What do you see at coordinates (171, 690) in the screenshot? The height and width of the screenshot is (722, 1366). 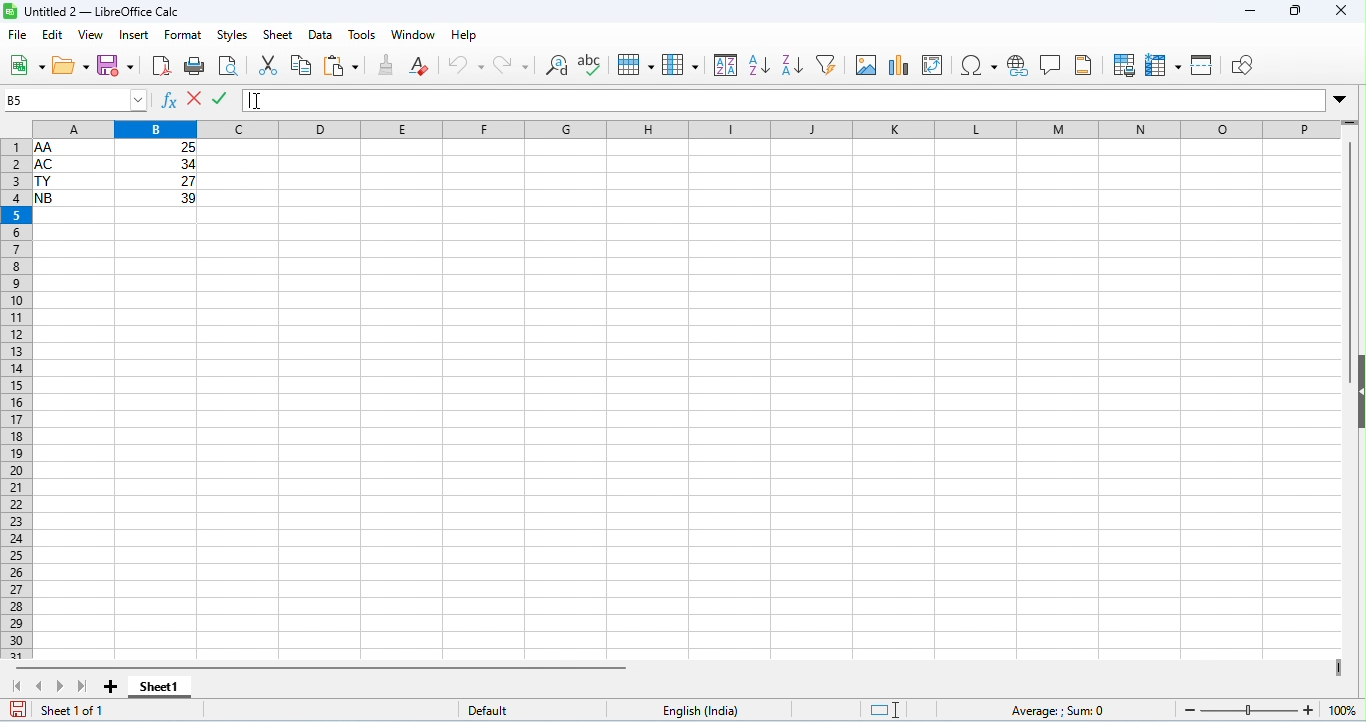 I see `sheet1` at bounding box center [171, 690].